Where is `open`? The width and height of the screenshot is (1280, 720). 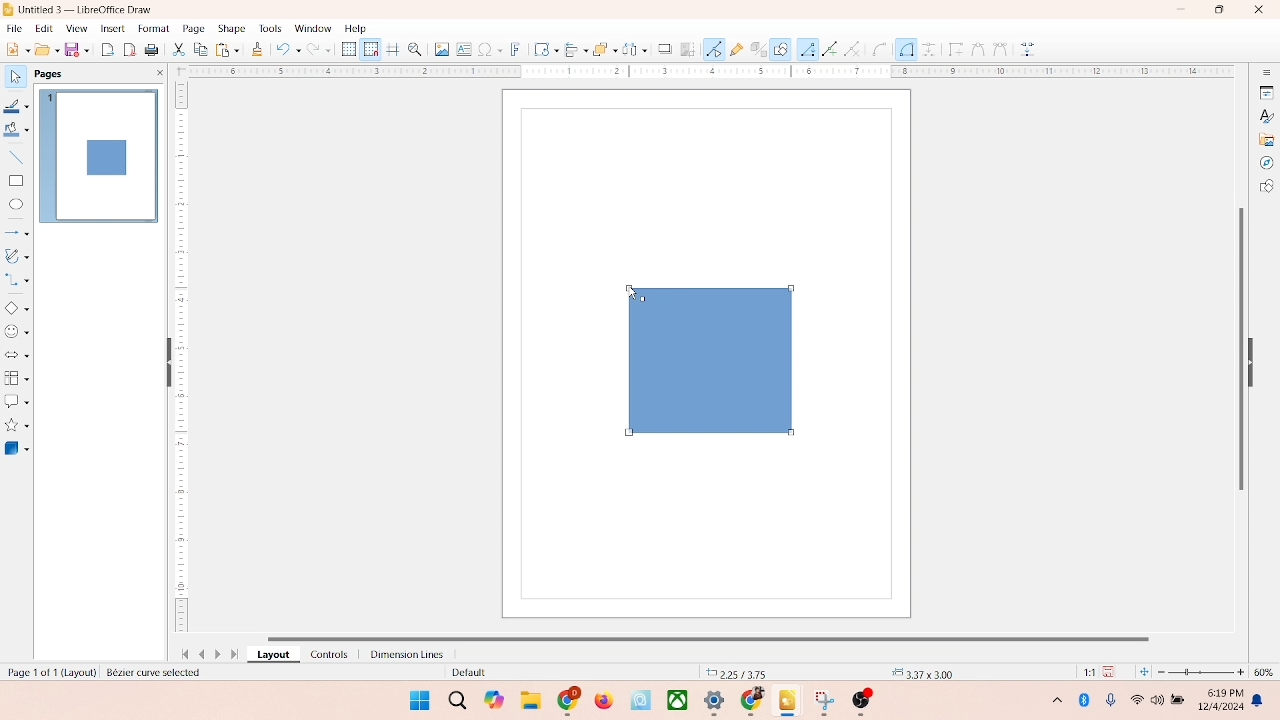 open is located at coordinates (45, 49).